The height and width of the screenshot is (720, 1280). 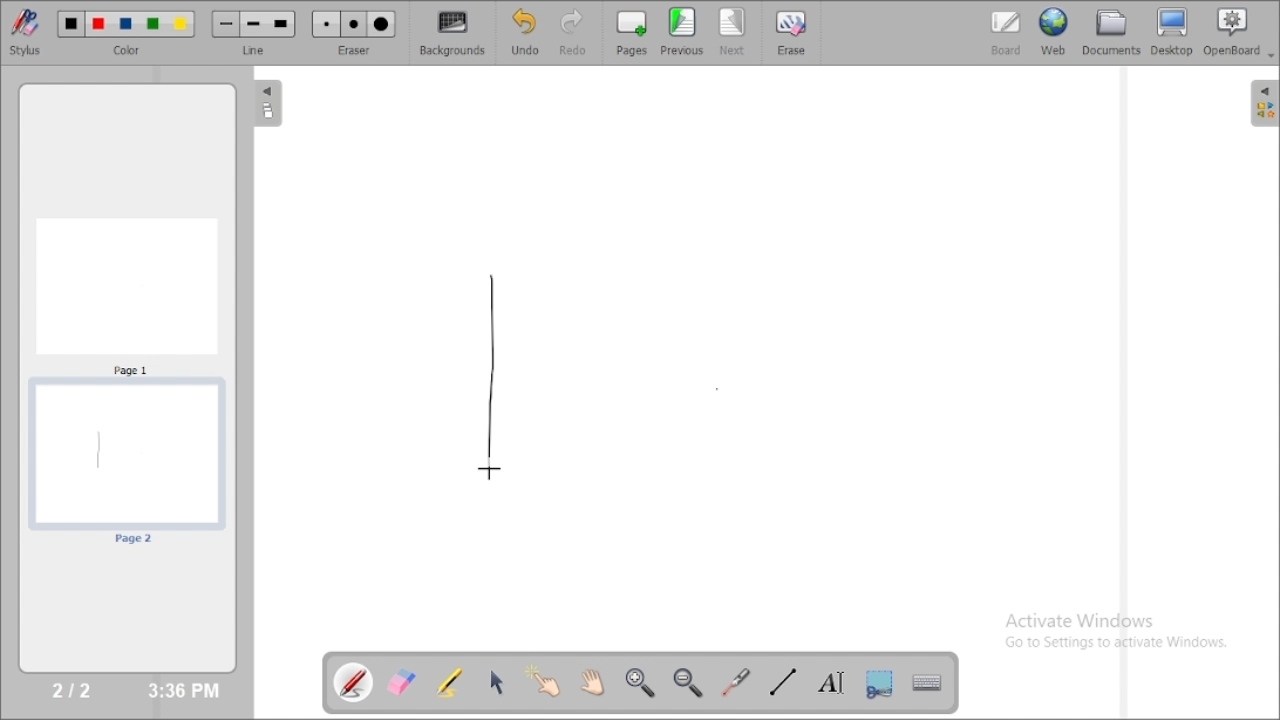 What do you see at coordinates (130, 51) in the screenshot?
I see `color` at bounding box center [130, 51].